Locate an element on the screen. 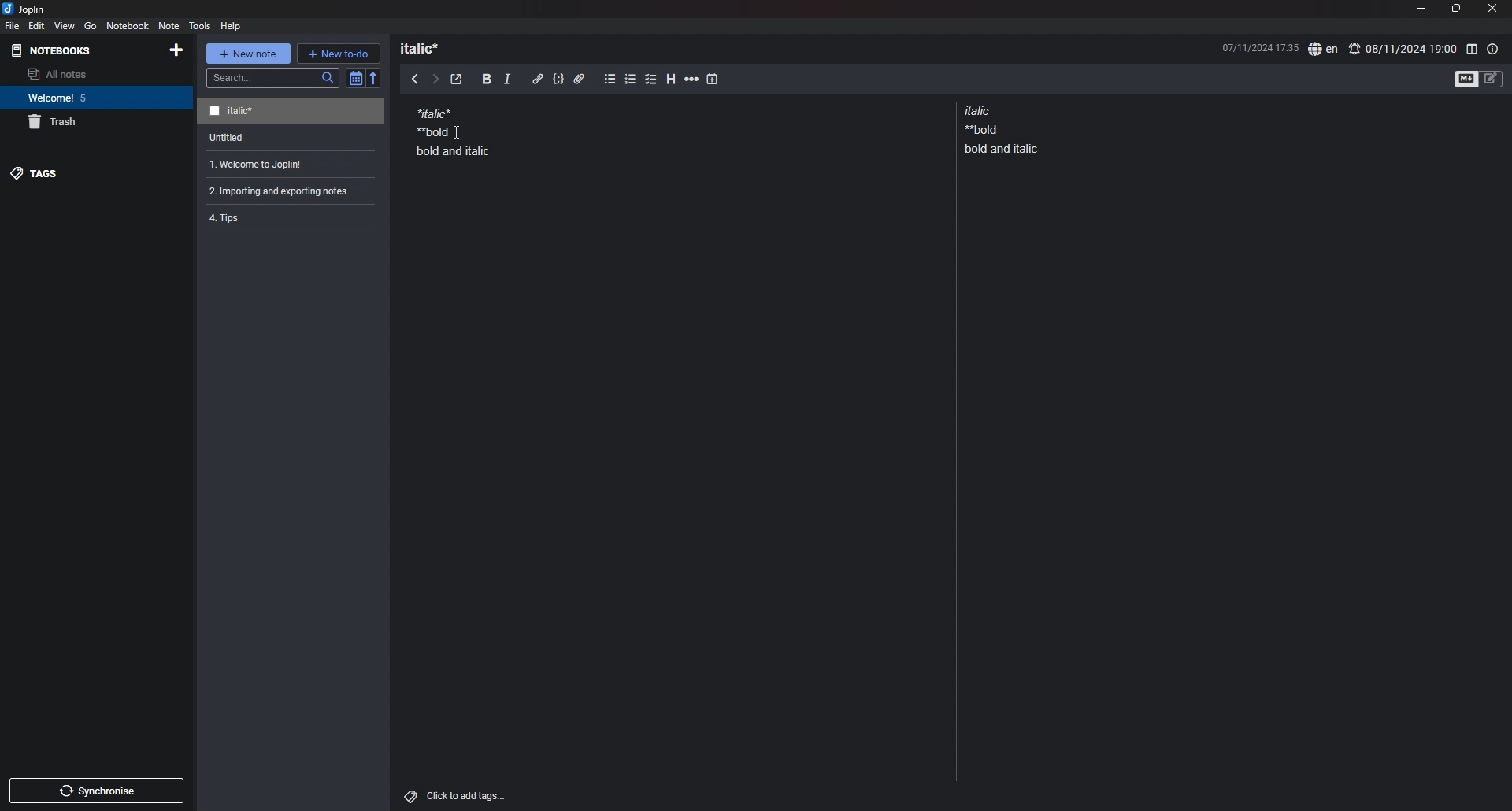 This screenshot has height=811, width=1512. note is located at coordinates (168, 25).